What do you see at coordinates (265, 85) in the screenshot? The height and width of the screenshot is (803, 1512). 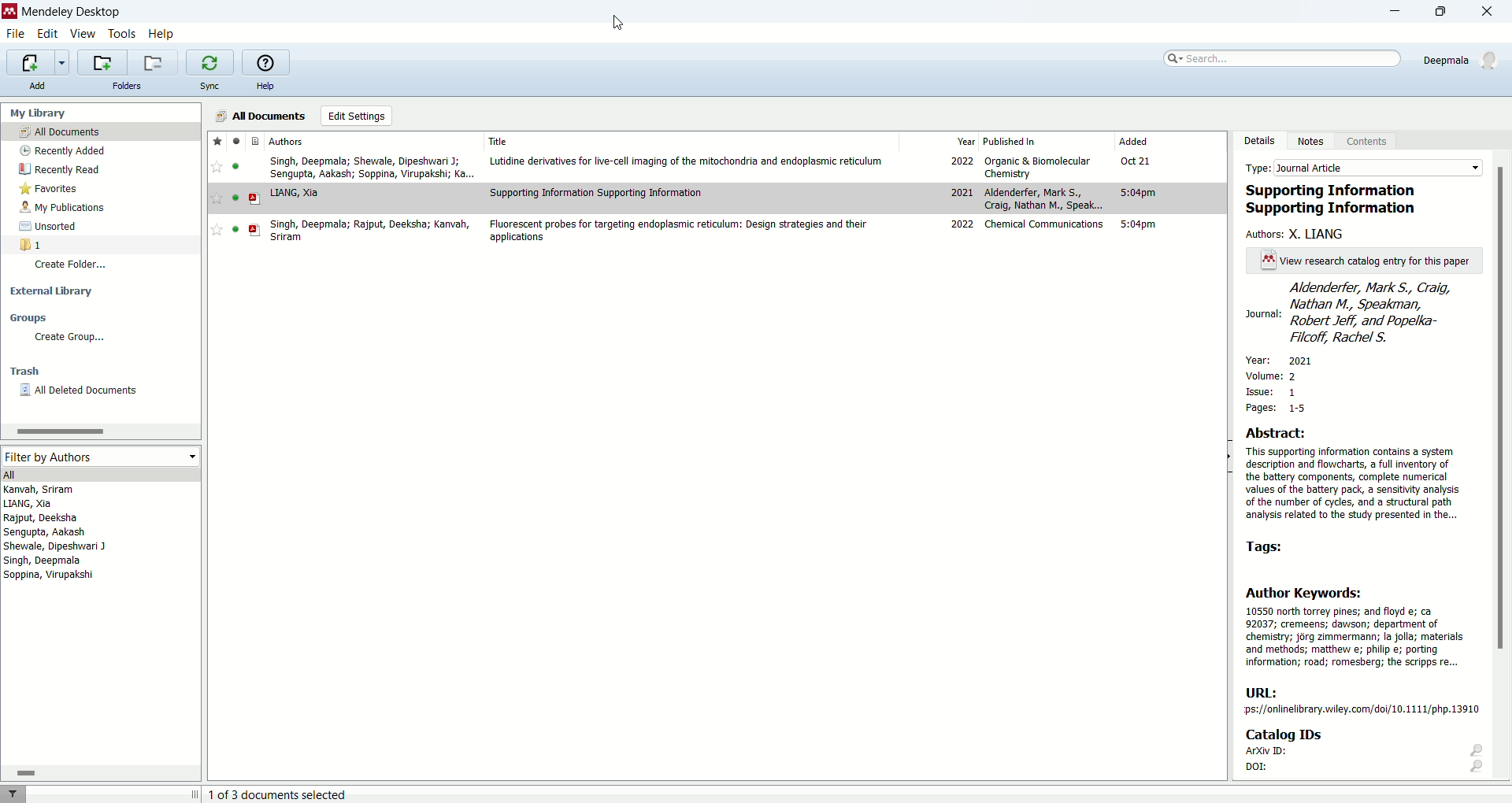 I see `help` at bounding box center [265, 85].